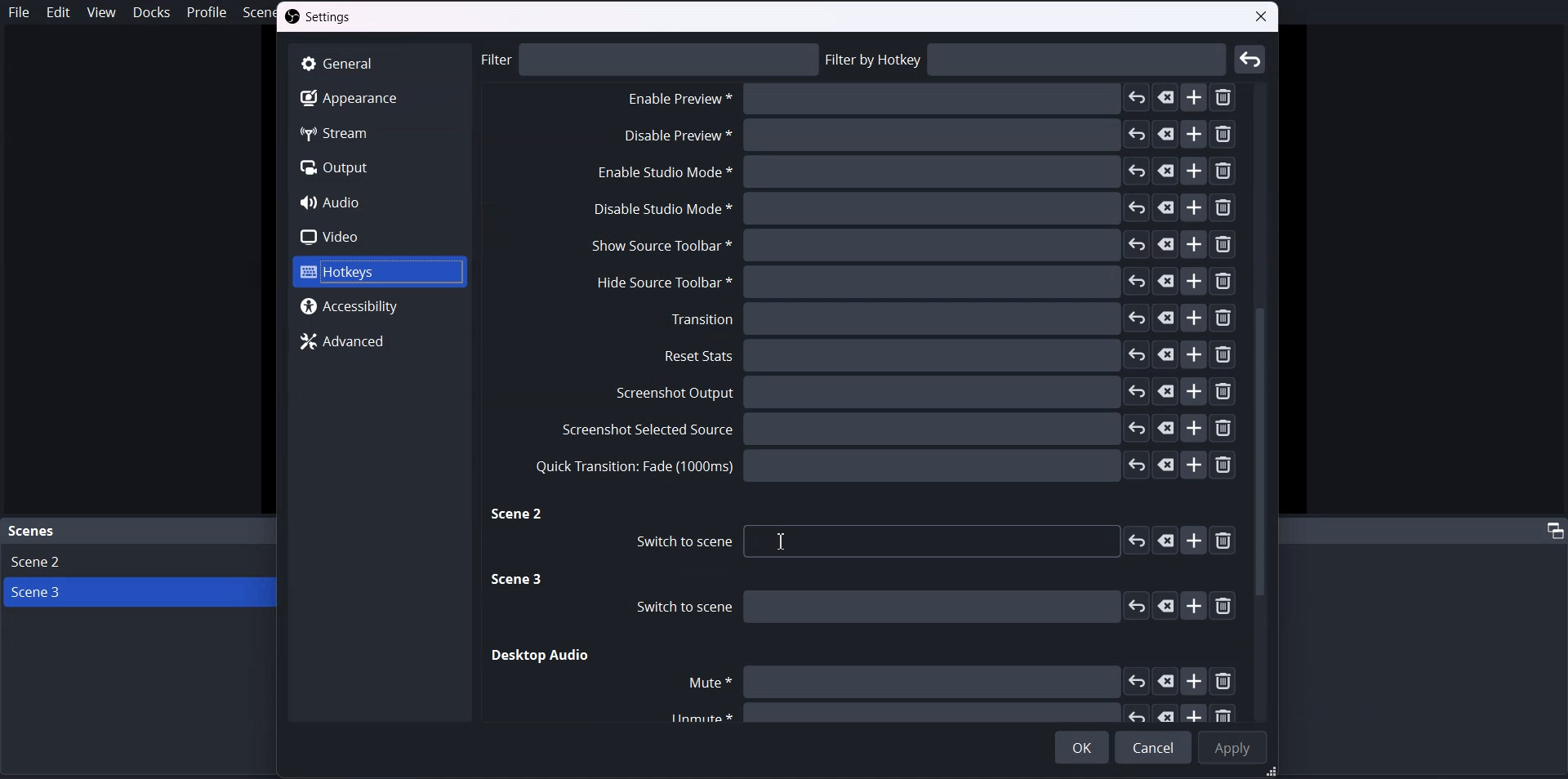  I want to click on Advanced, so click(381, 340).